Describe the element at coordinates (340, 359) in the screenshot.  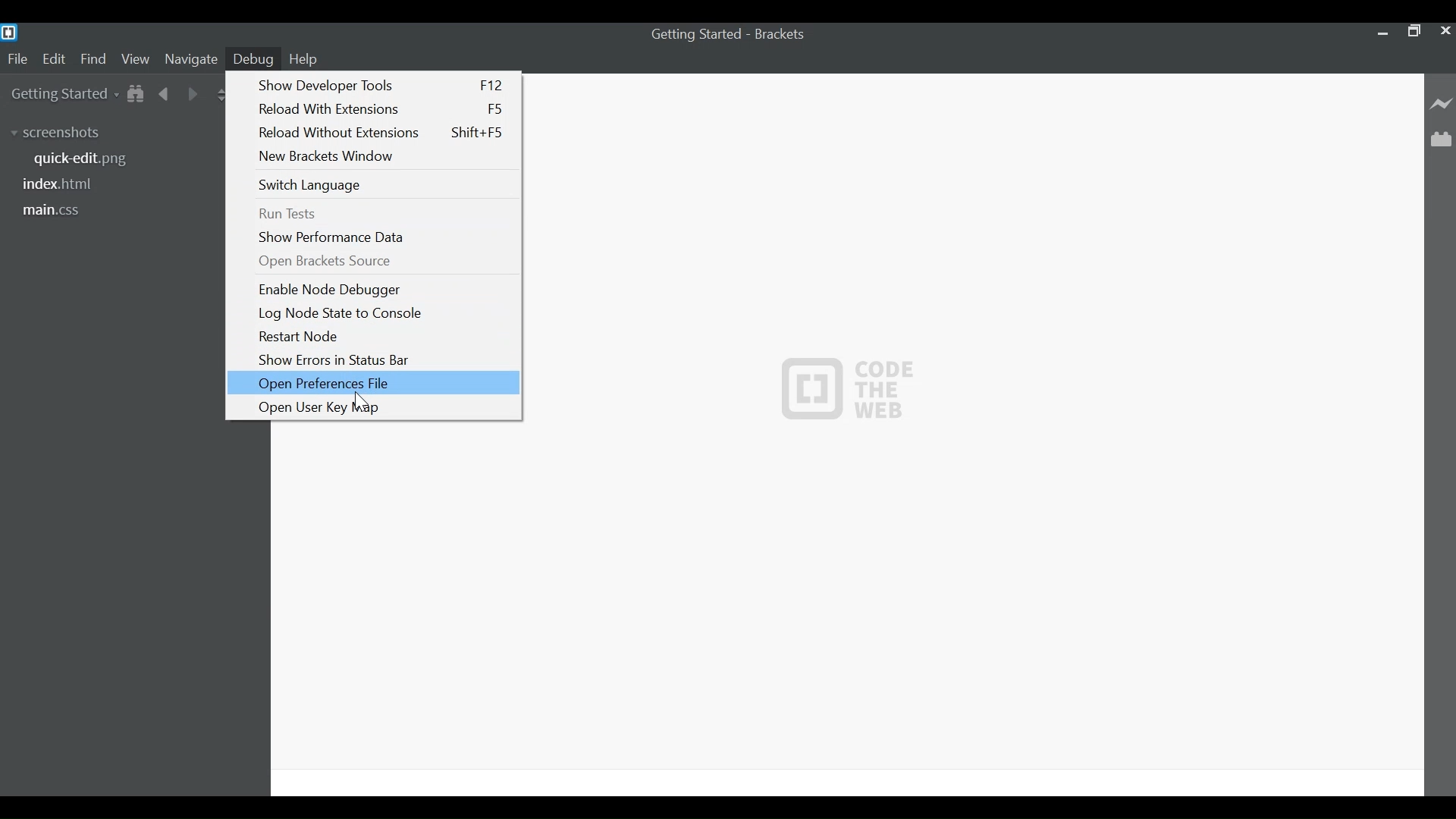
I see `Show Errors in Status Bar` at that location.